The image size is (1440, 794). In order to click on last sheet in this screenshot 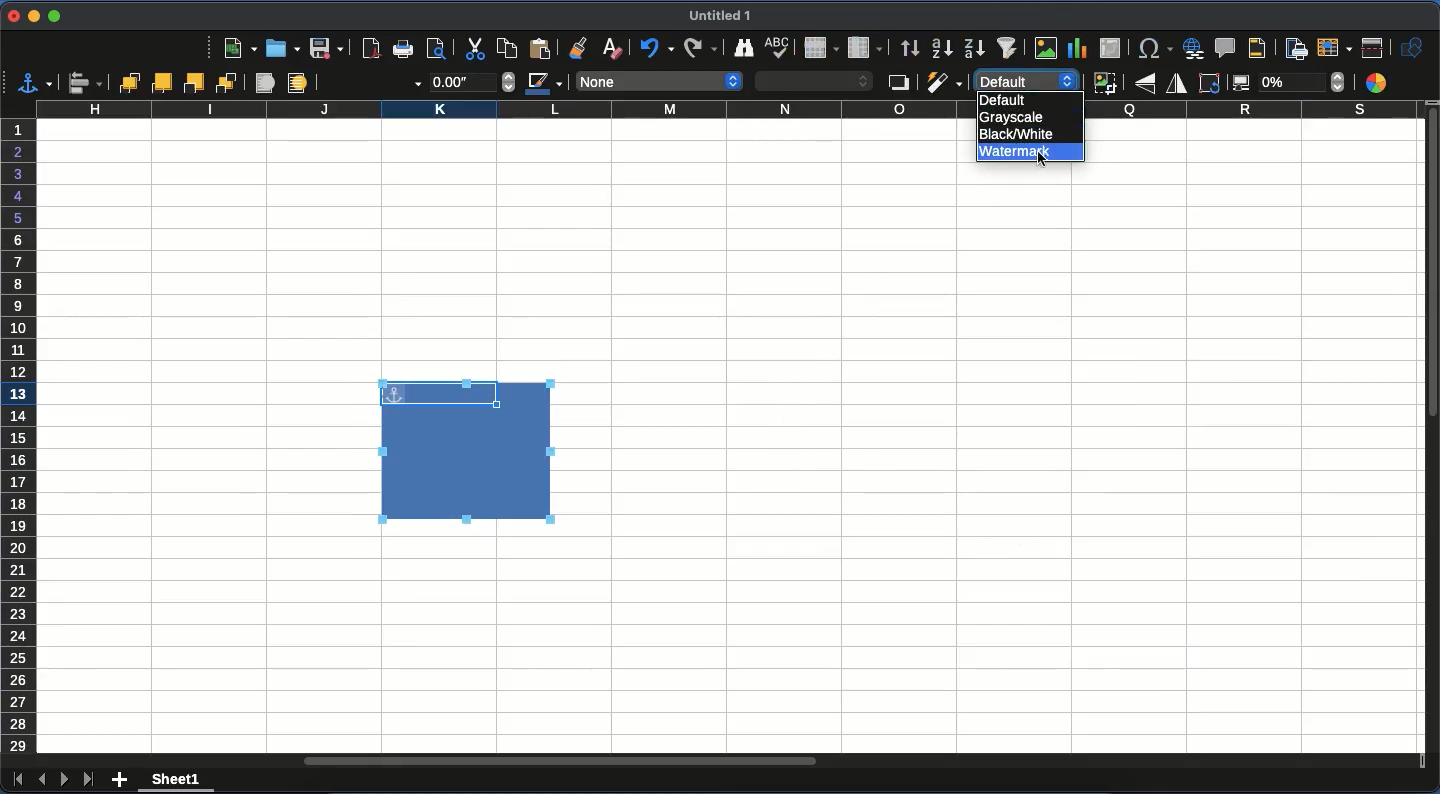, I will do `click(90, 780)`.